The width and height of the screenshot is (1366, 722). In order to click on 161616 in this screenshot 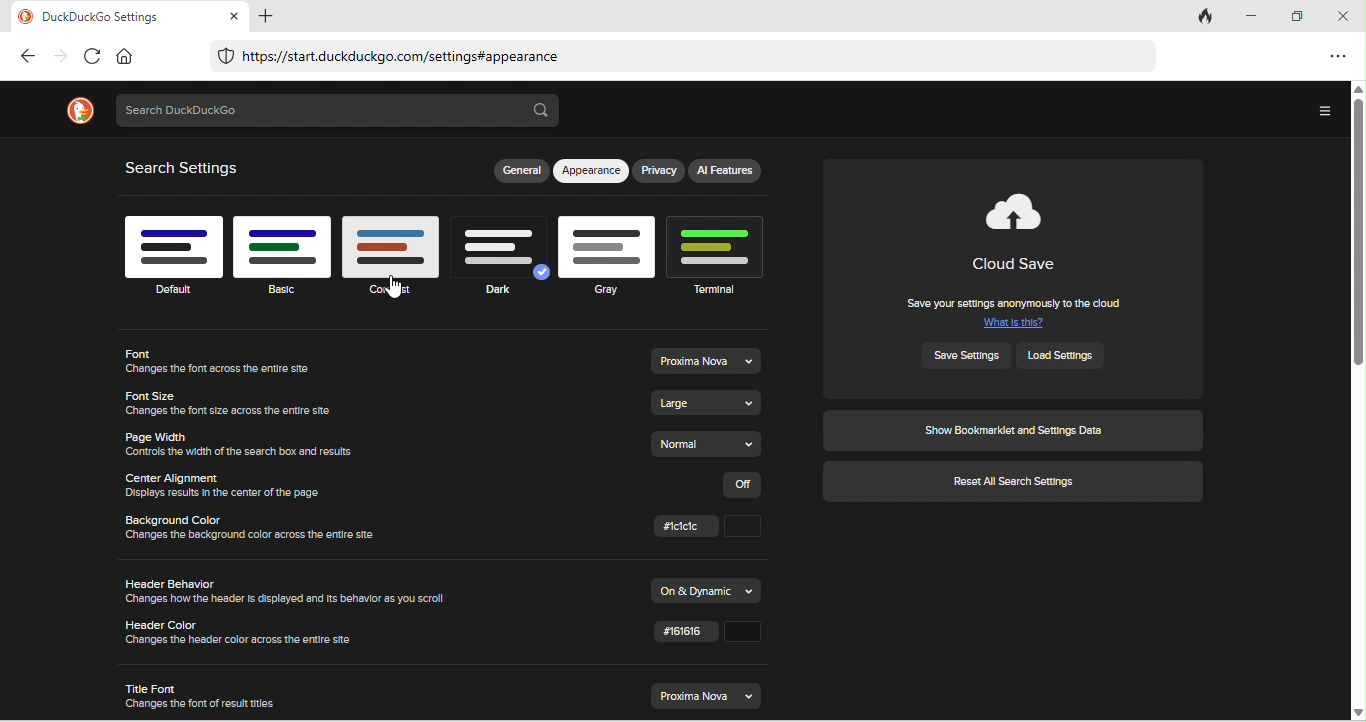, I will do `click(705, 636)`.